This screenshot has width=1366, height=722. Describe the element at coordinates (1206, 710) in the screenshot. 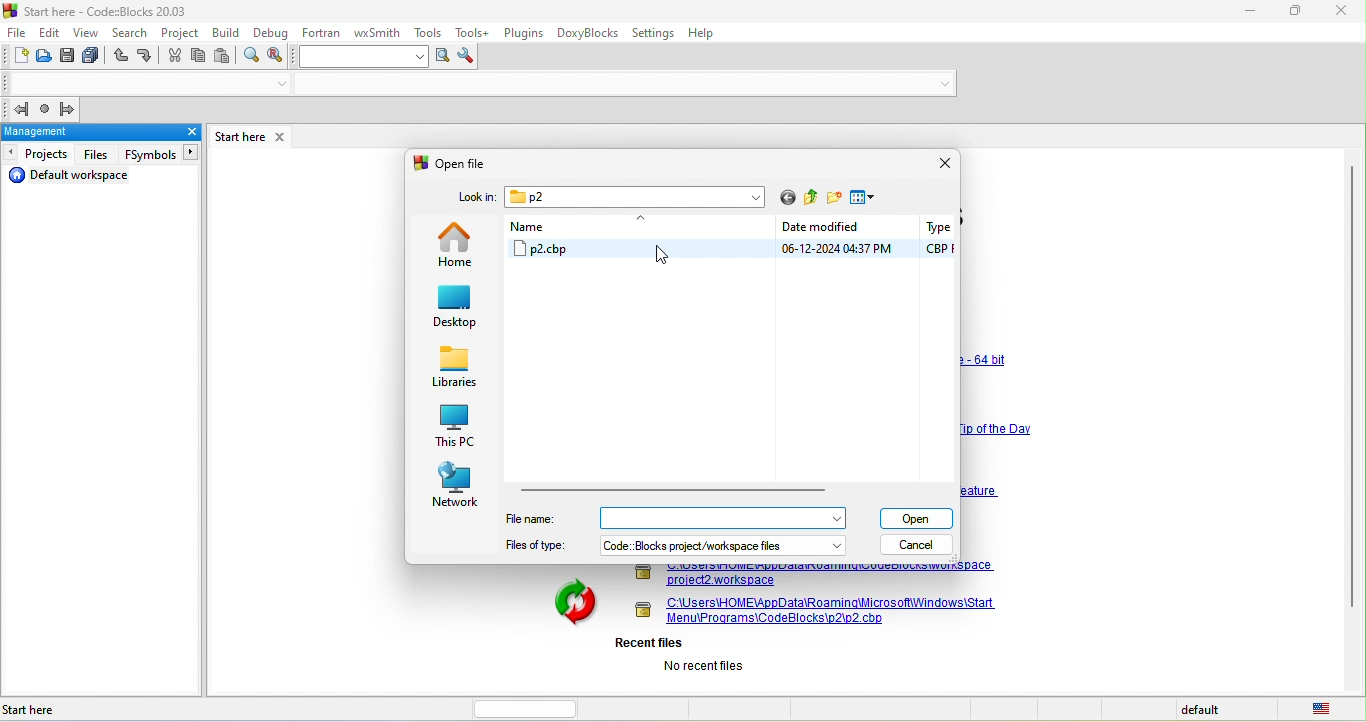

I see `default` at that location.